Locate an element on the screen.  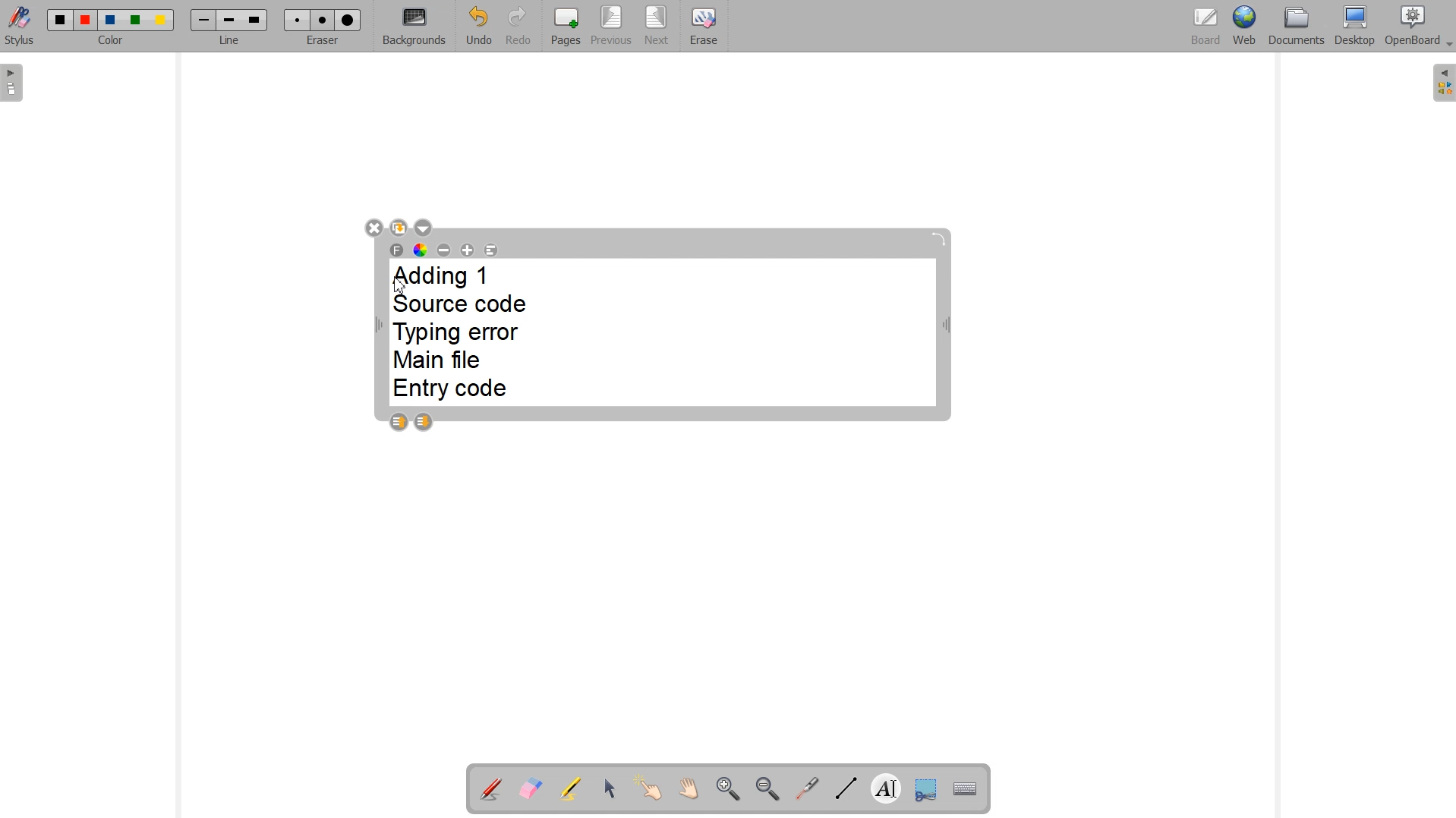
Small line is located at coordinates (204, 20).